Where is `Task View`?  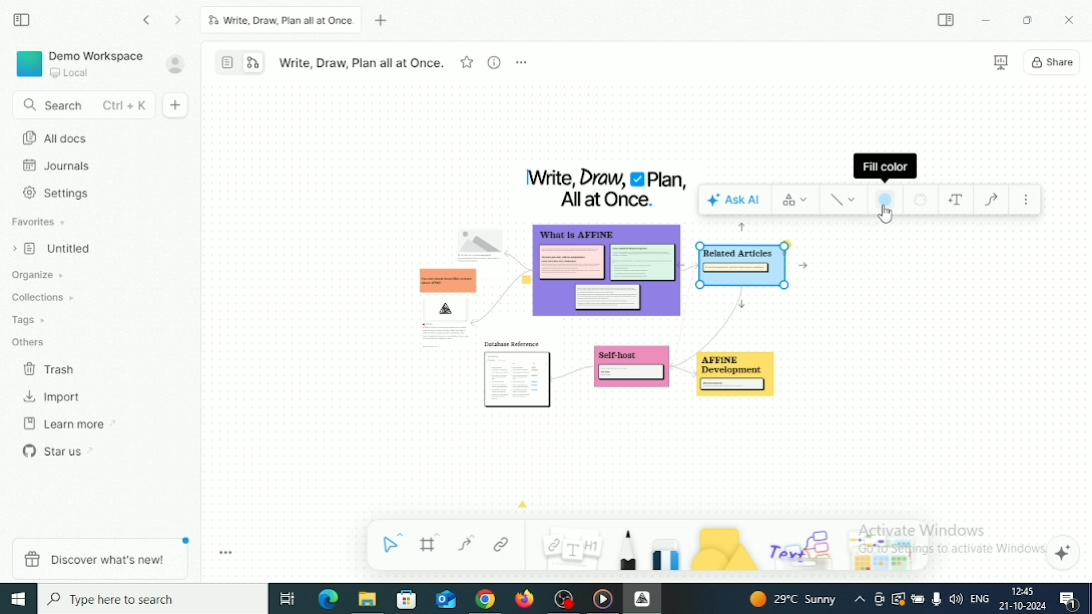
Task View is located at coordinates (287, 599).